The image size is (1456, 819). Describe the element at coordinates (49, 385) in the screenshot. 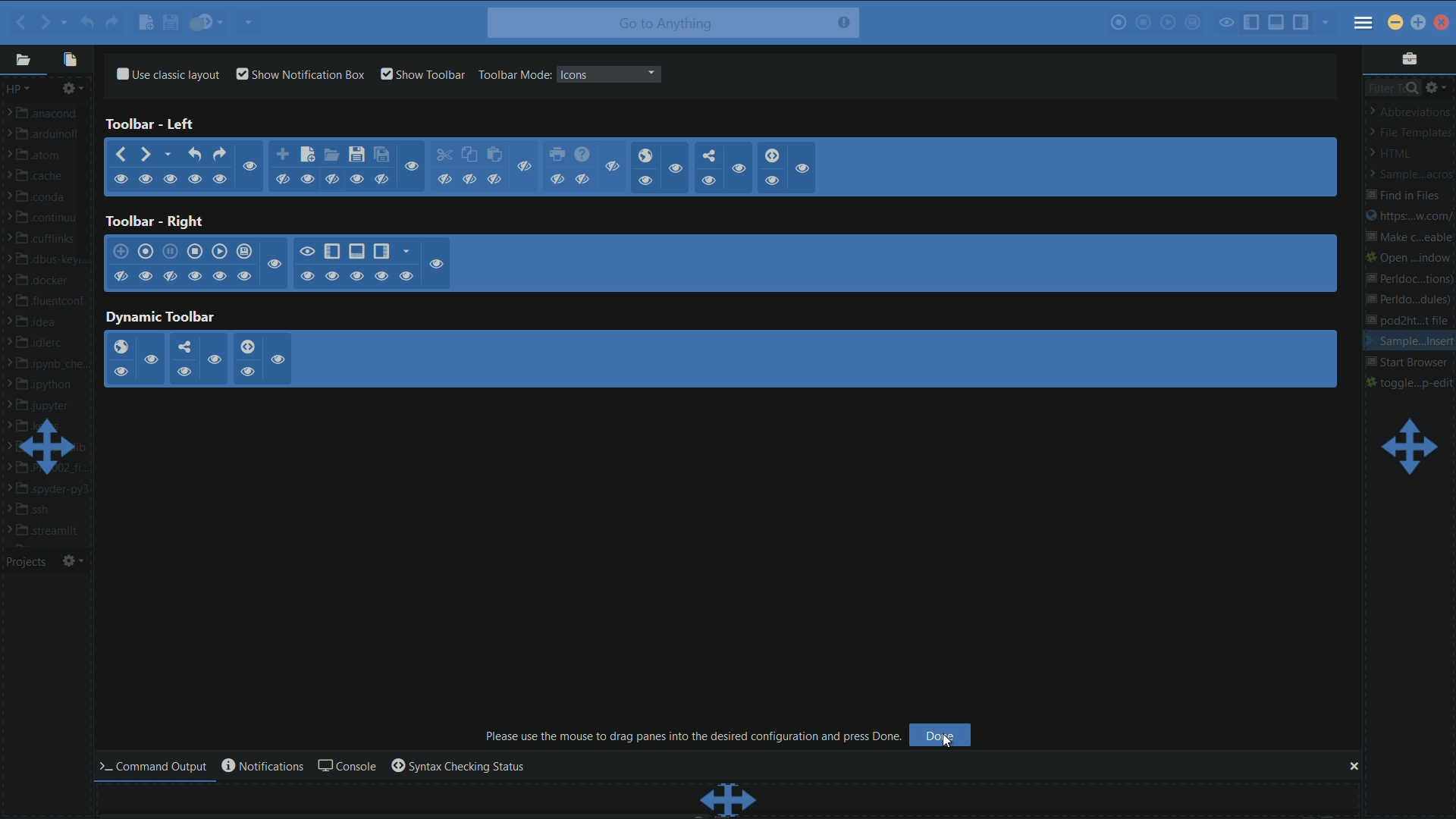

I see `.ipython` at that location.